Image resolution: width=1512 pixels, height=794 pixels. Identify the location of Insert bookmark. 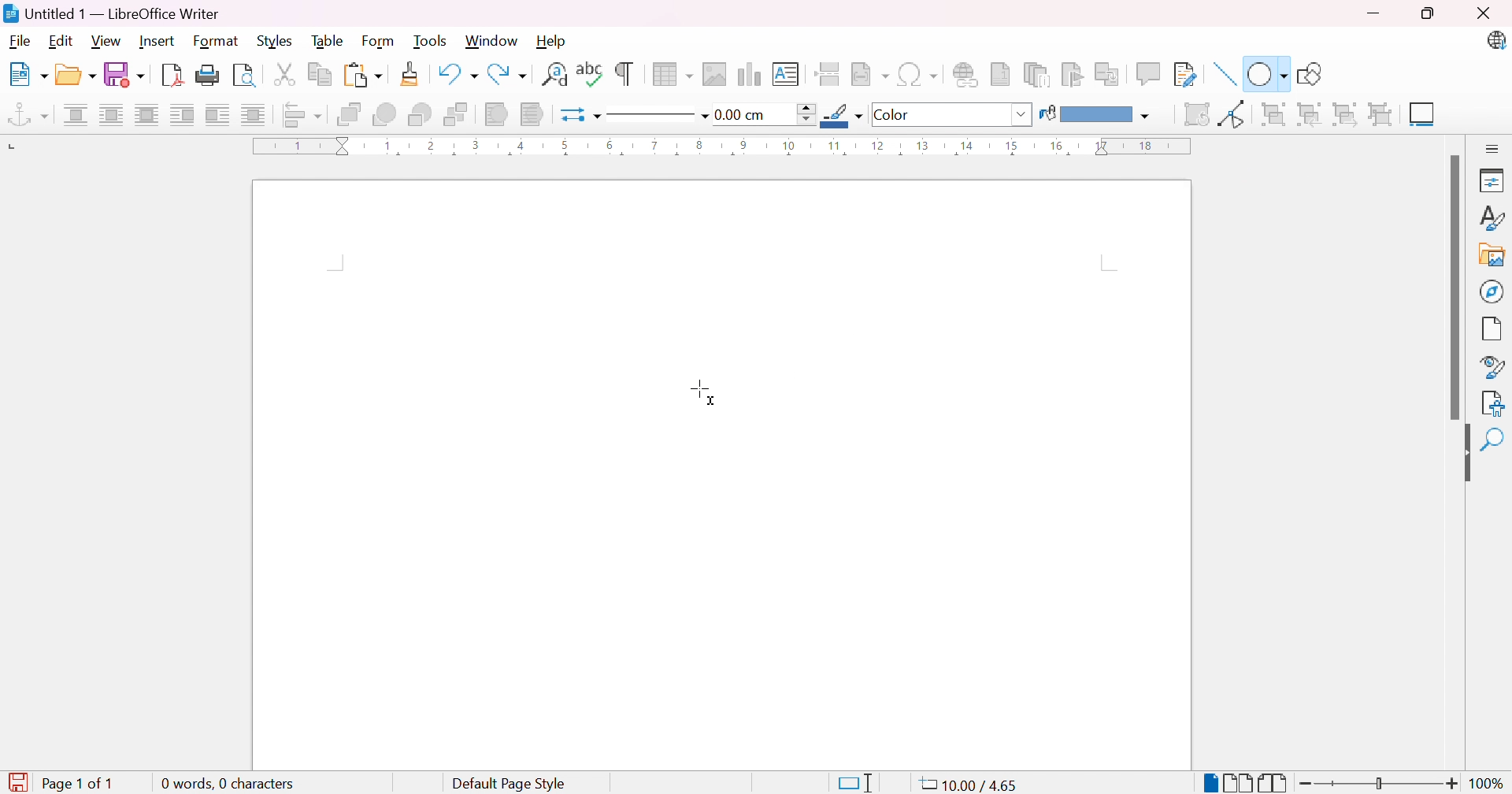
(1073, 74).